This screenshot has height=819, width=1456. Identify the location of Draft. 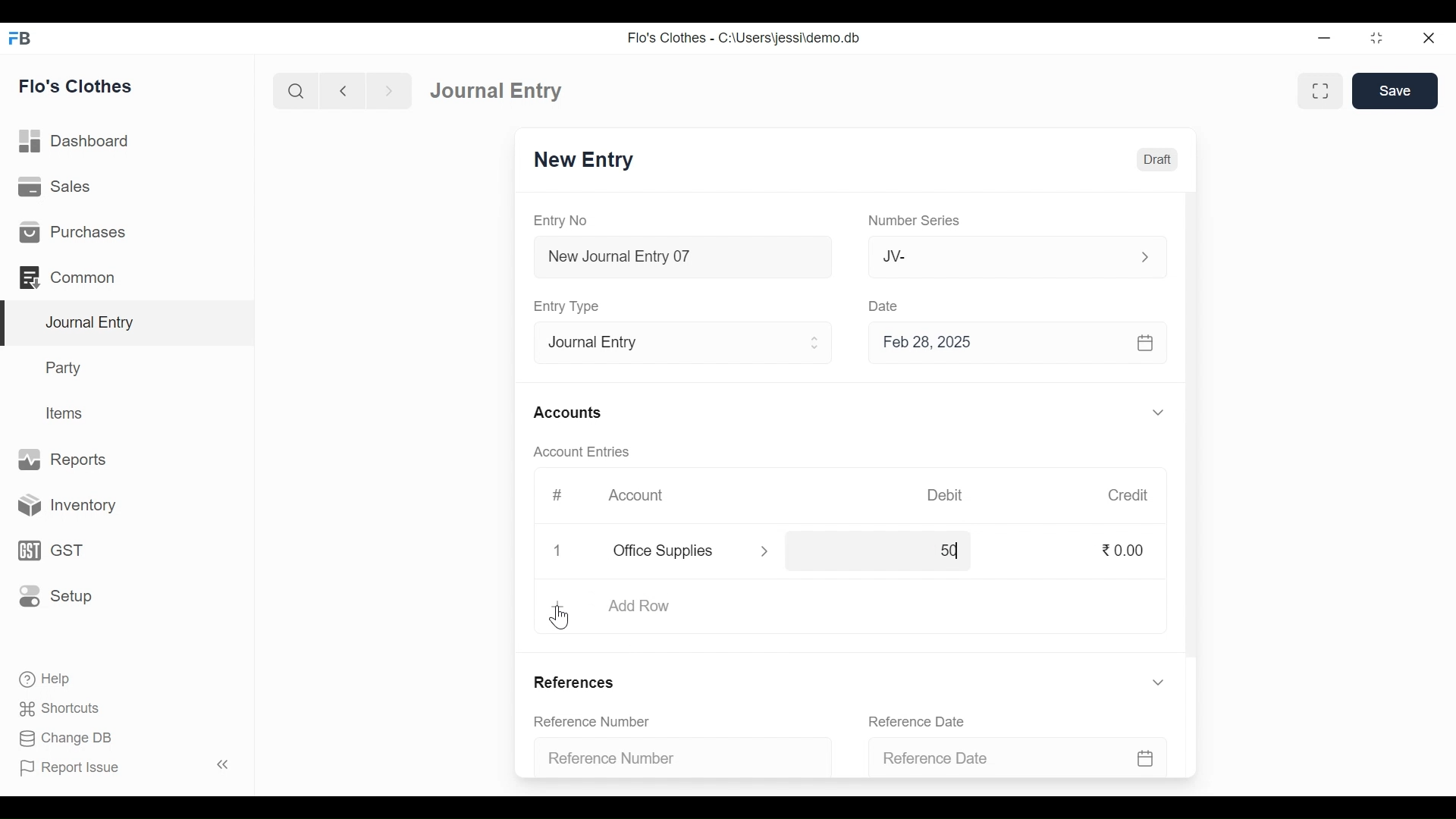
(1154, 160).